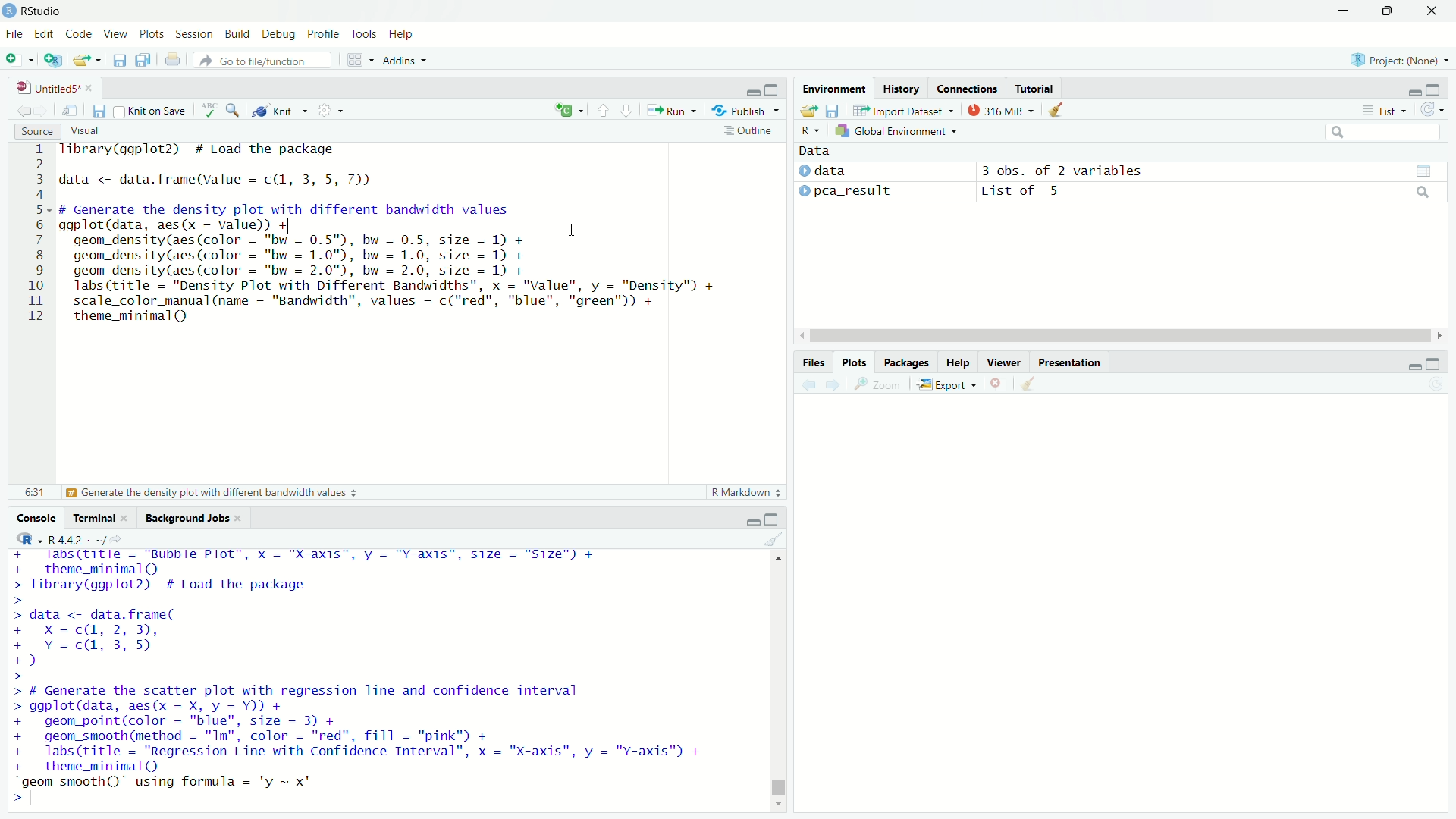 This screenshot has width=1456, height=819. Describe the element at coordinates (804, 190) in the screenshot. I see `expand/collapse` at that location.